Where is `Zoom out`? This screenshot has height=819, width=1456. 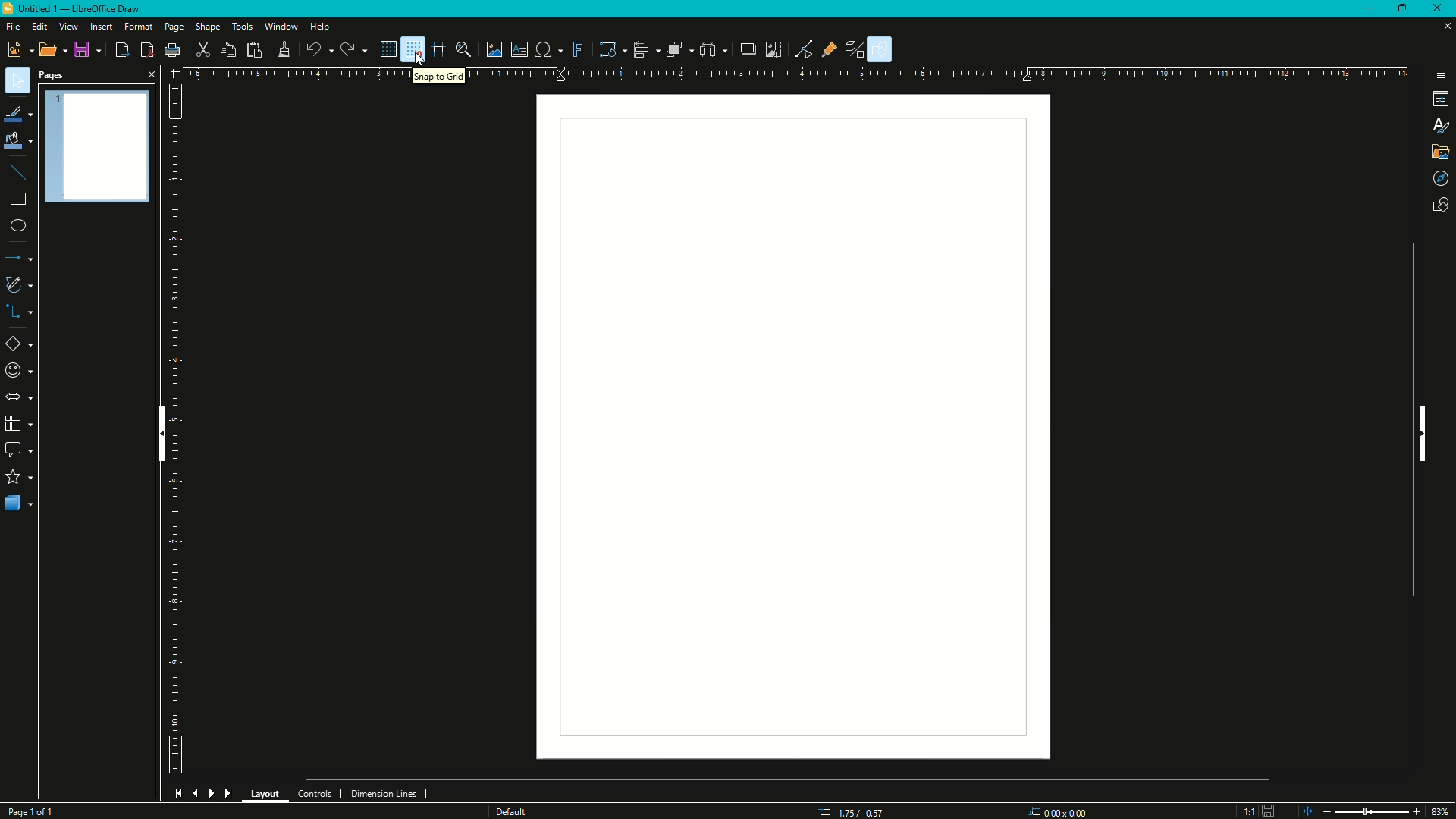 Zoom out is located at coordinates (1326, 808).